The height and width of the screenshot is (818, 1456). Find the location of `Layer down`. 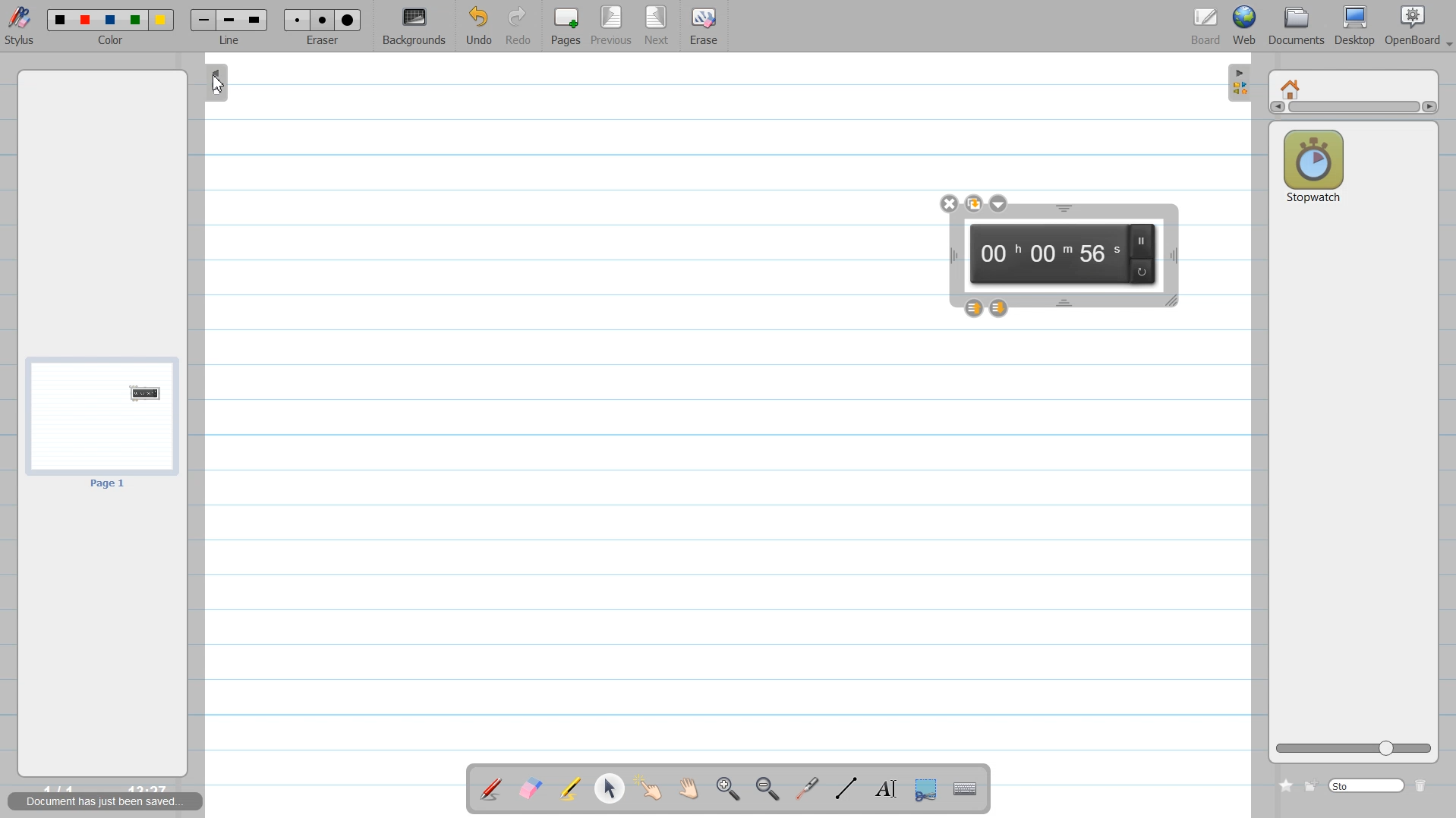

Layer down is located at coordinates (1001, 307).